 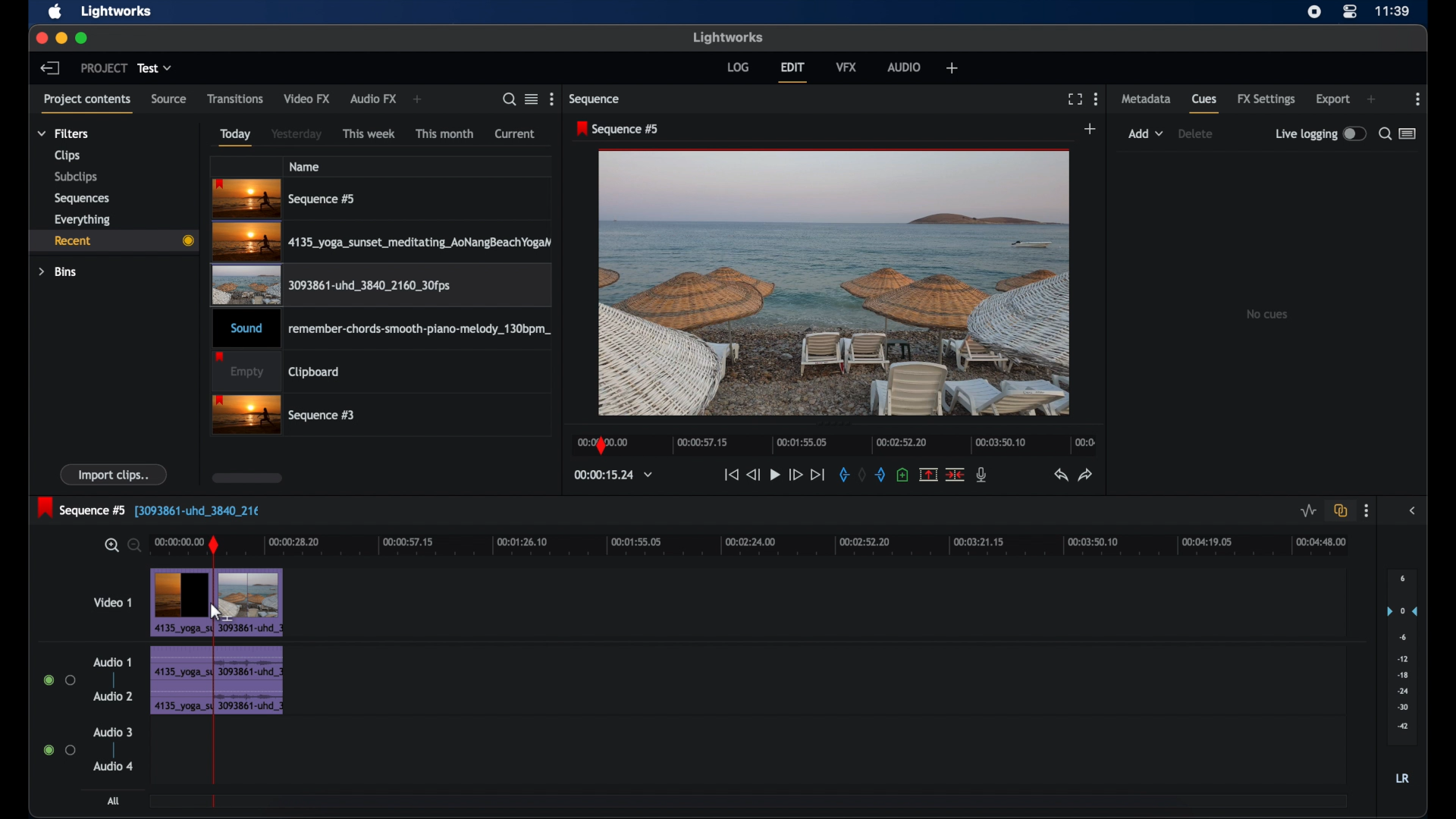 I want to click on remove  marked section, so click(x=928, y=475).